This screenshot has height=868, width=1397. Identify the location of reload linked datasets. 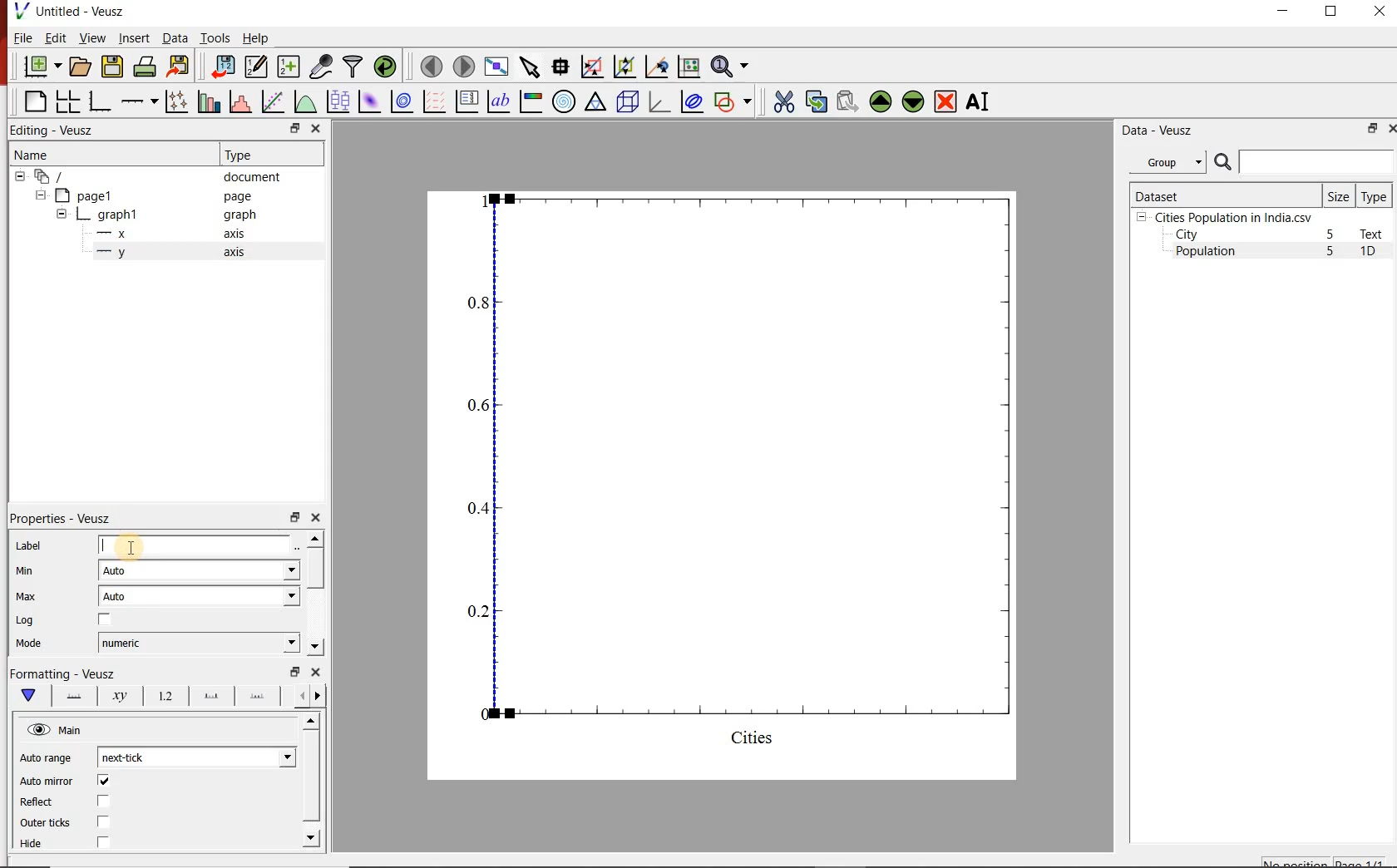
(384, 67).